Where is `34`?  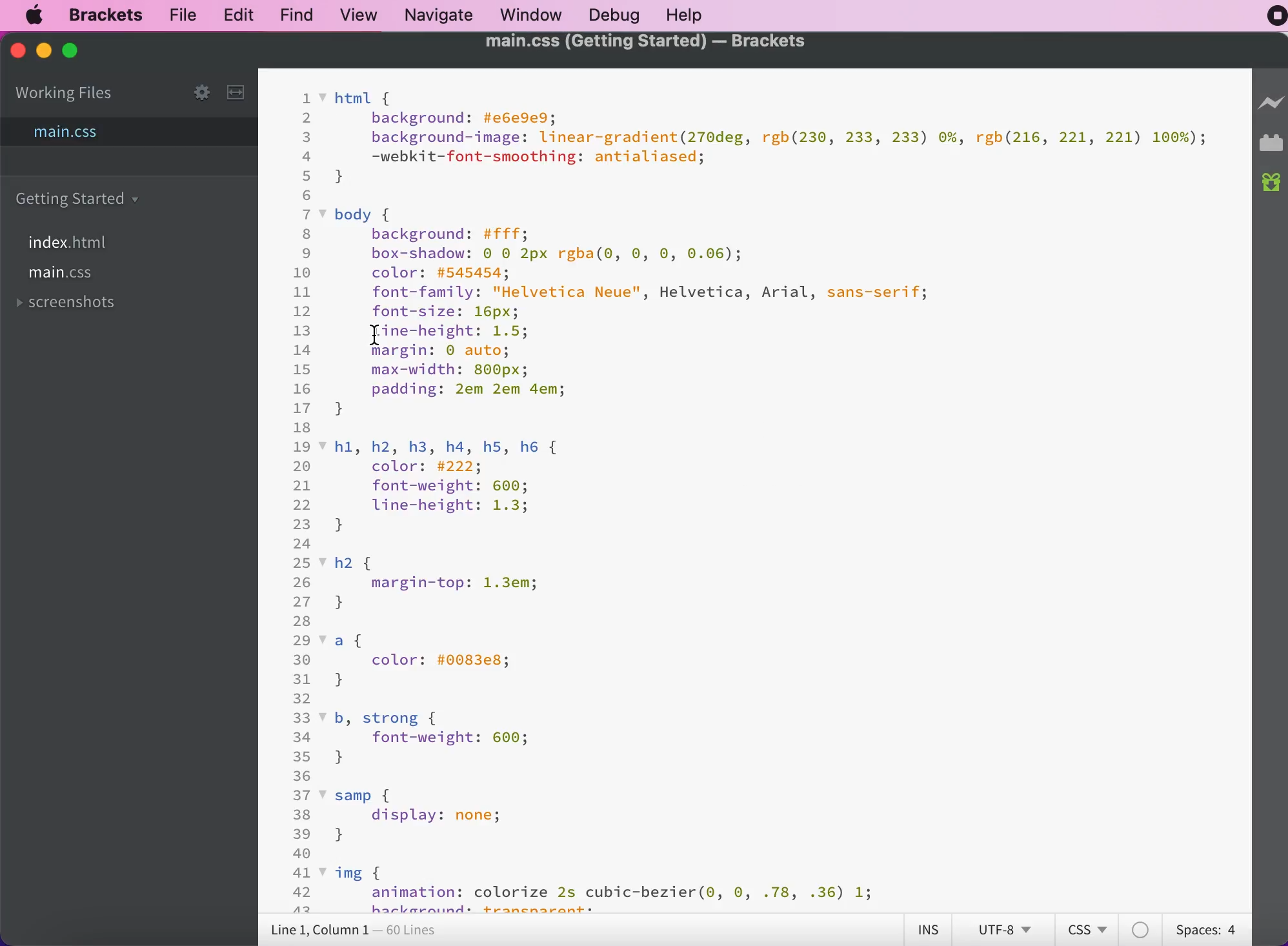 34 is located at coordinates (301, 739).